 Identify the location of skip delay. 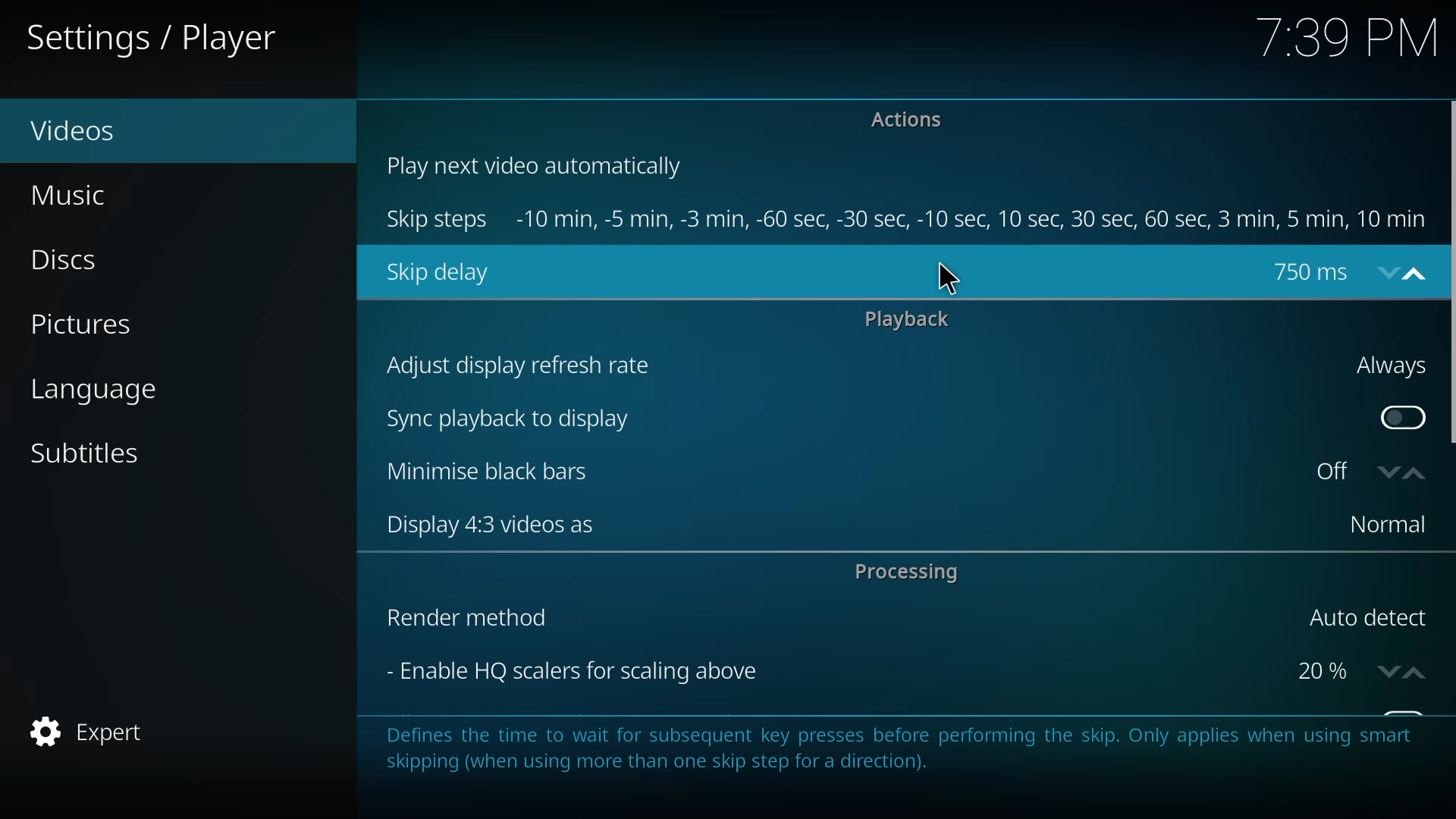
(440, 274).